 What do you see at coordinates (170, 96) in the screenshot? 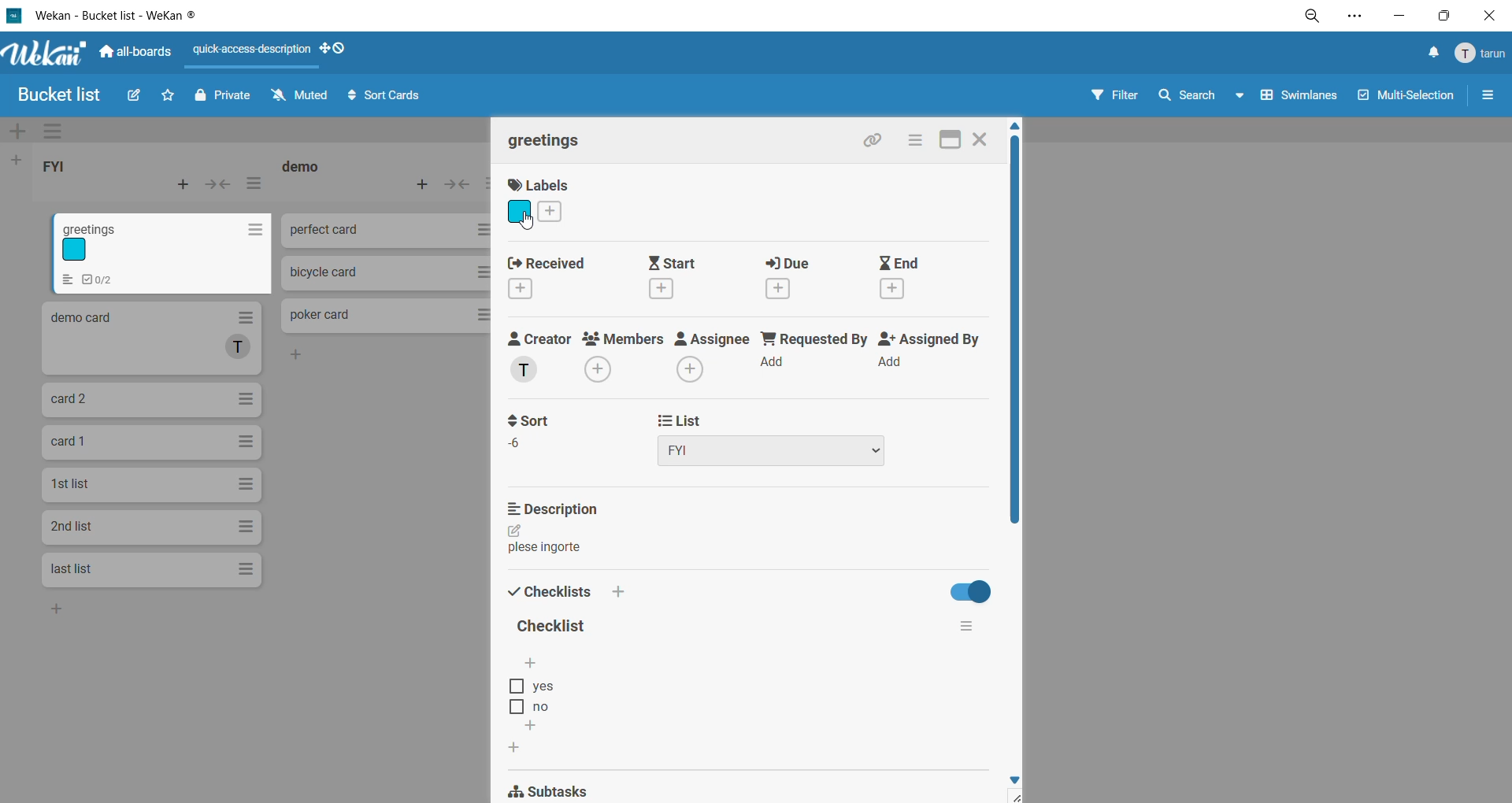
I see `star` at bounding box center [170, 96].